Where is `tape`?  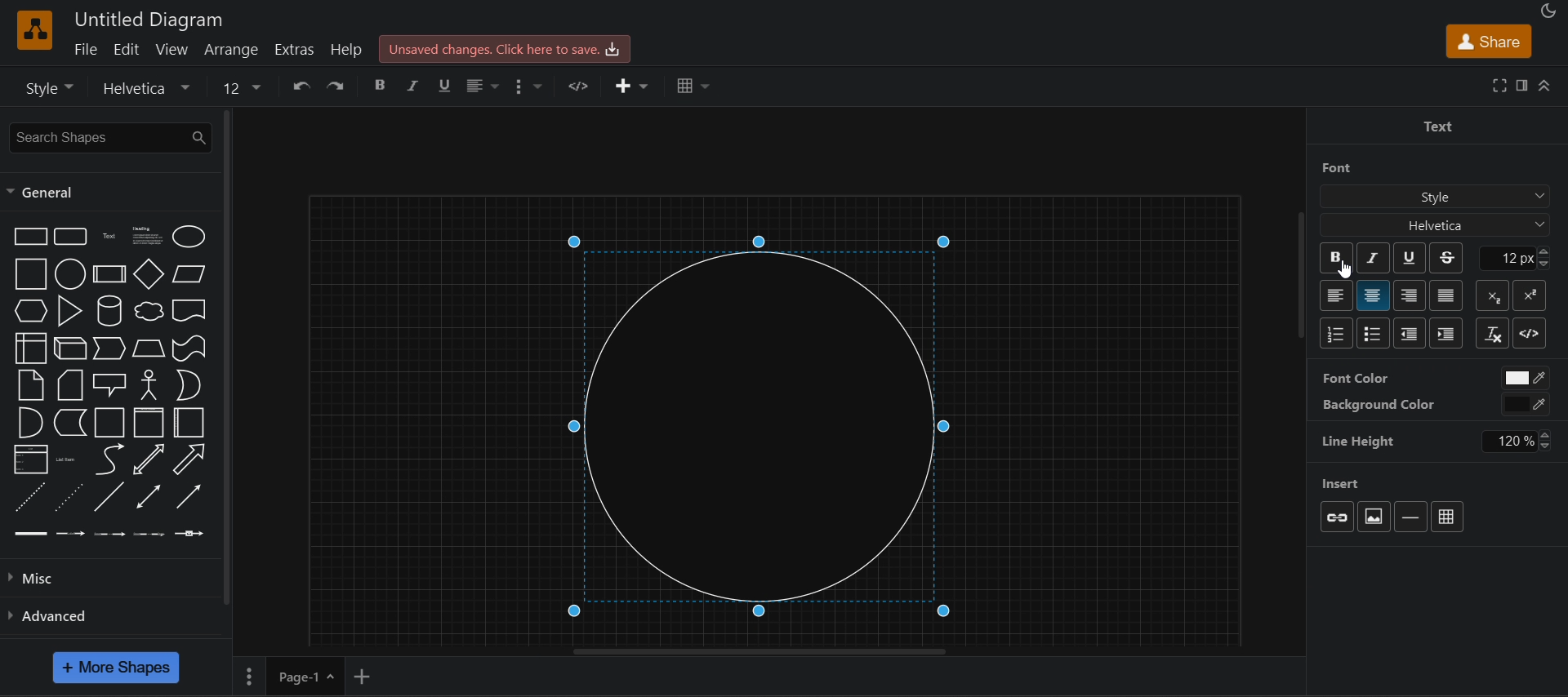 tape is located at coordinates (193, 348).